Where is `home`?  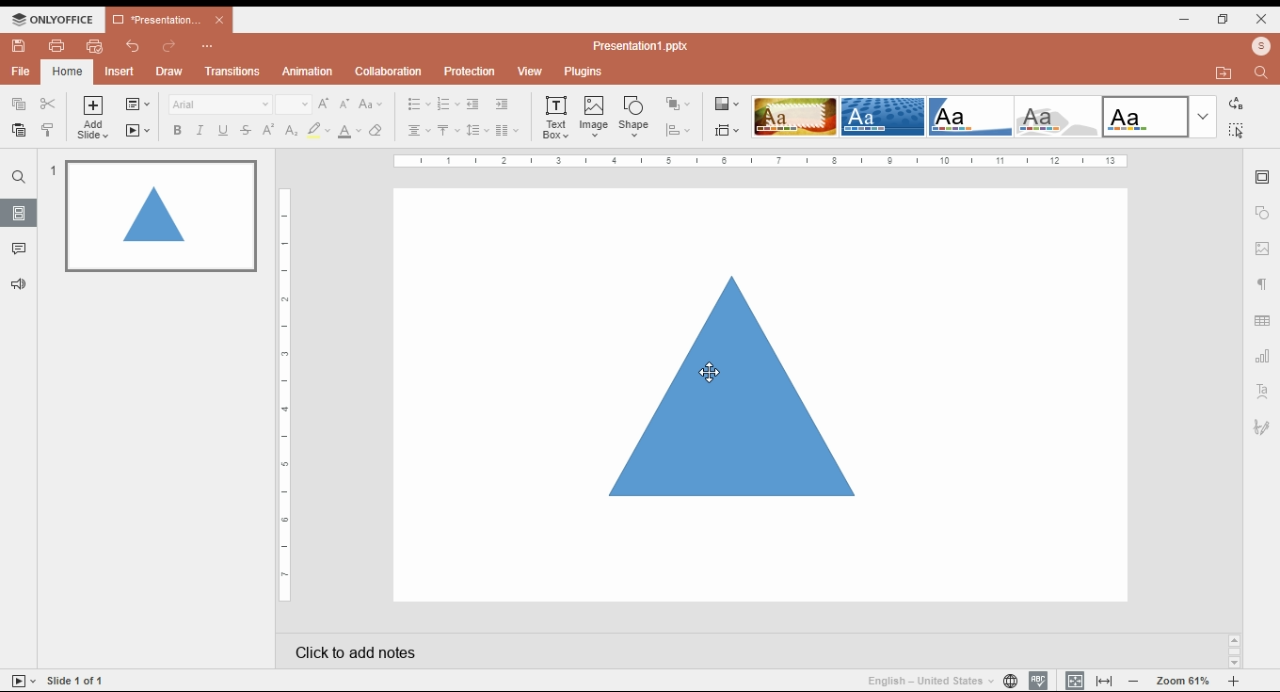
home is located at coordinates (67, 73).